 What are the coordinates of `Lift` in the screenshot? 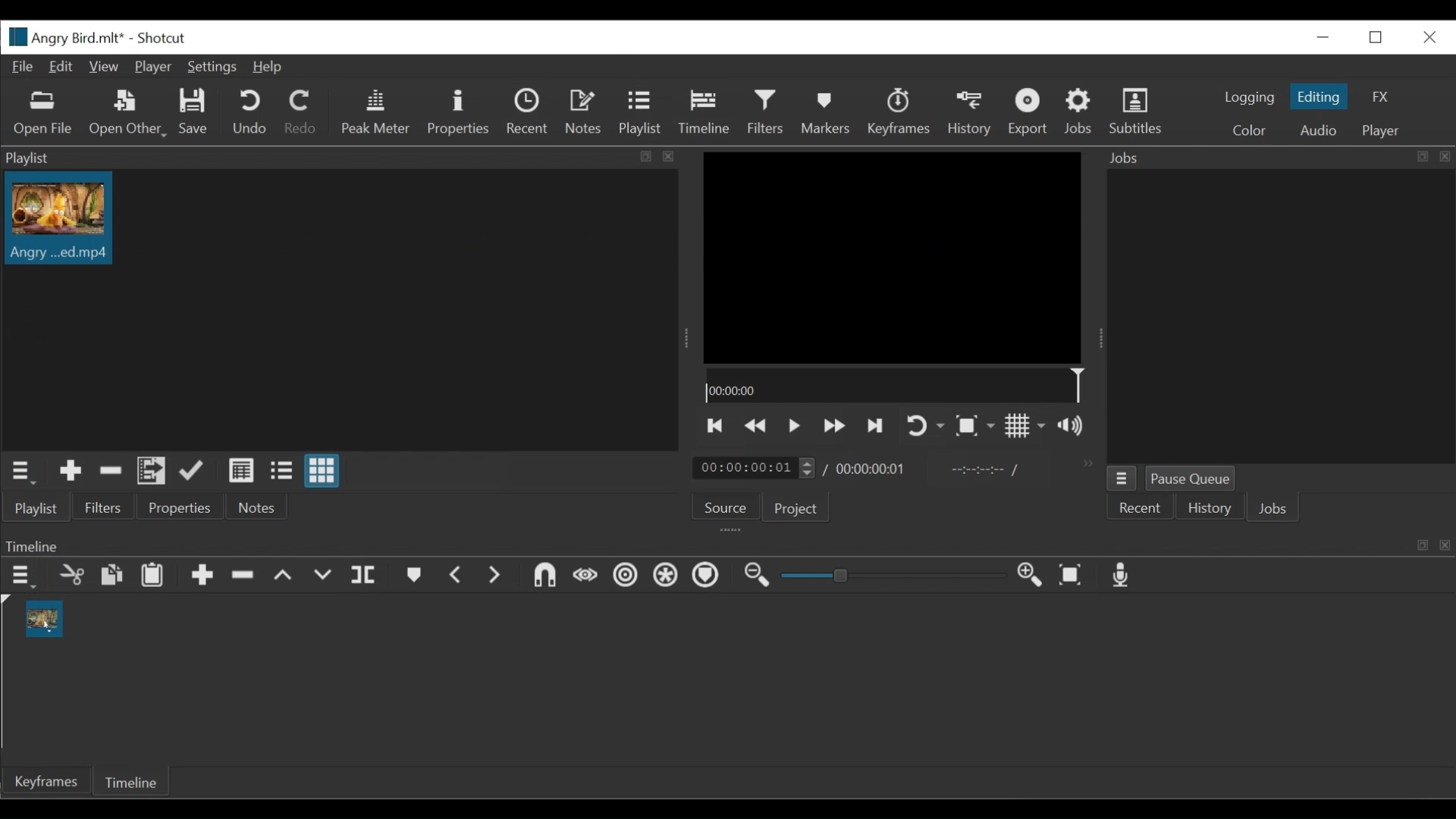 It's located at (286, 575).